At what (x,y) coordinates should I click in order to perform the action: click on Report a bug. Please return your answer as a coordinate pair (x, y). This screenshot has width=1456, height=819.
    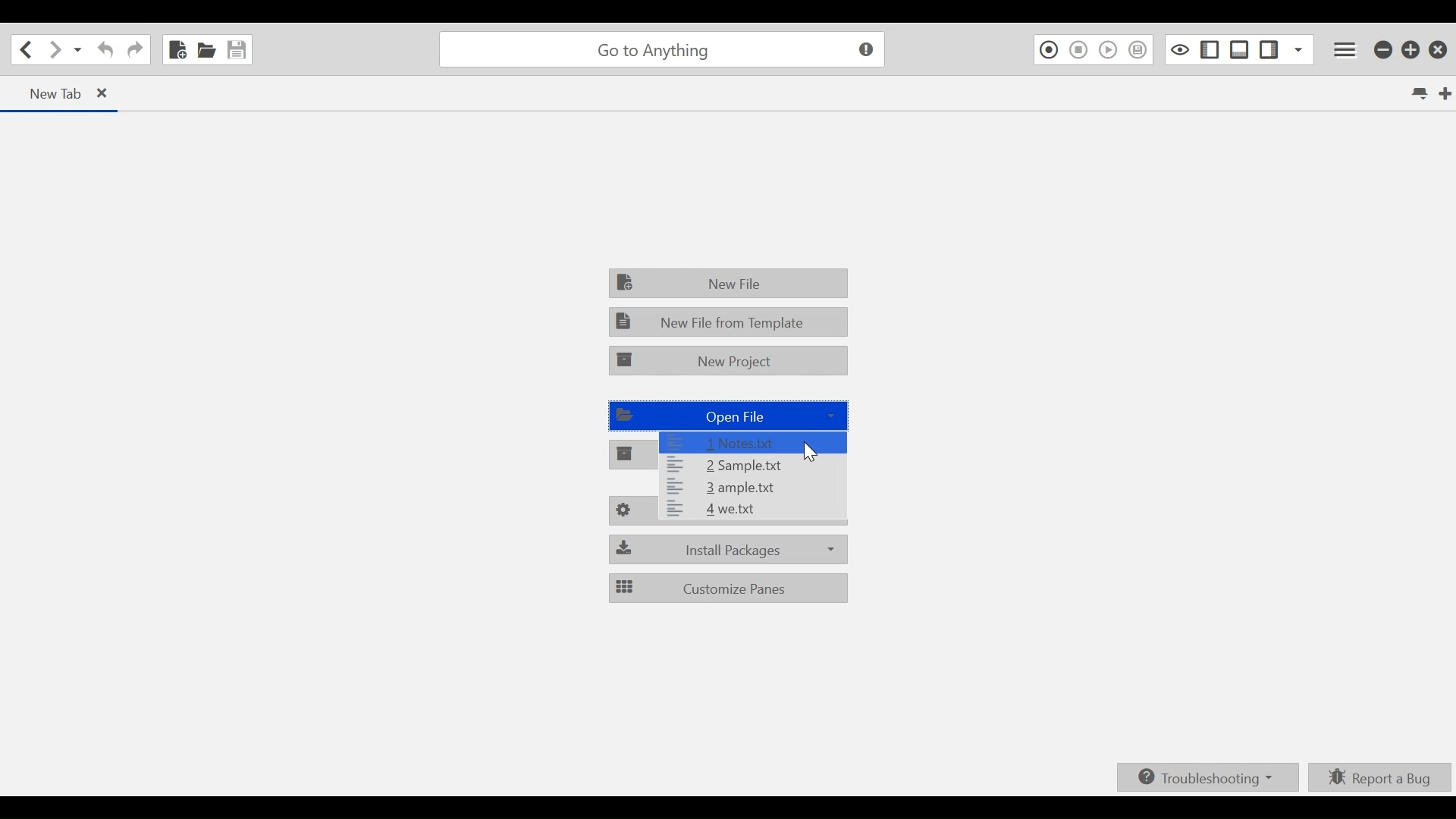
    Looking at the image, I should click on (1382, 779).